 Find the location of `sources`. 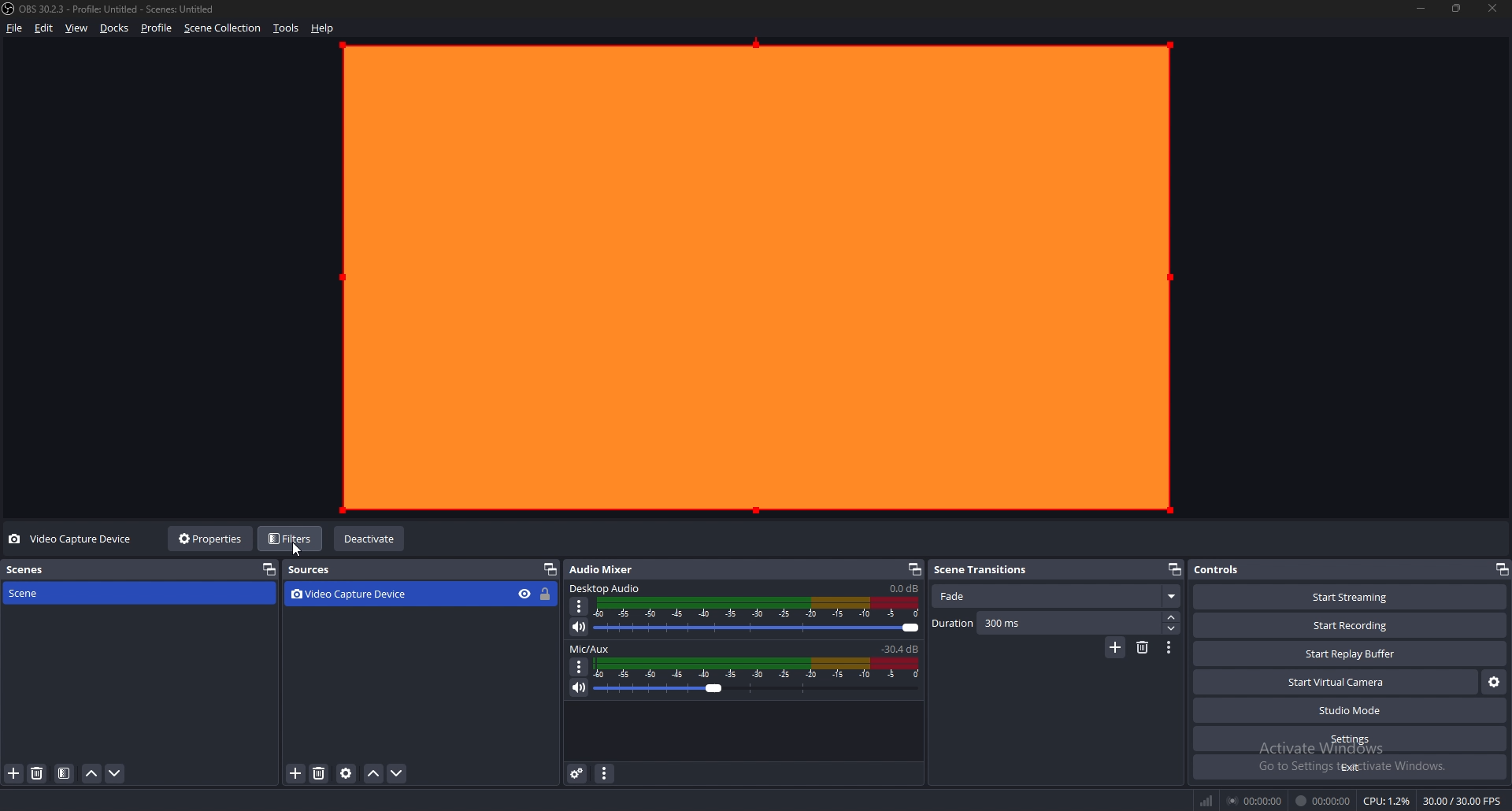

sources is located at coordinates (322, 570).